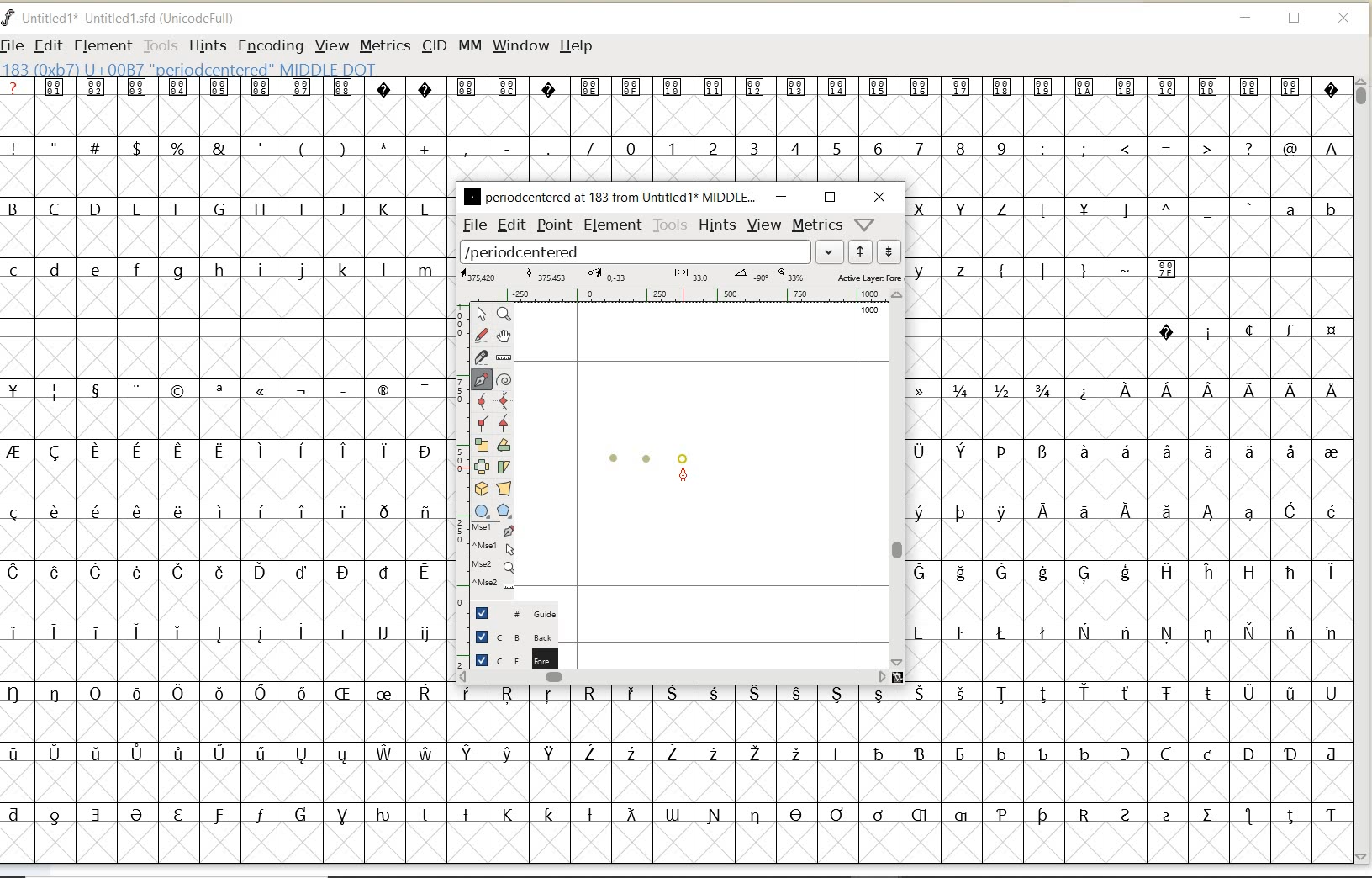  Describe the element at coordinates (870, 312) in the screenshot. I see `1000` at that location.